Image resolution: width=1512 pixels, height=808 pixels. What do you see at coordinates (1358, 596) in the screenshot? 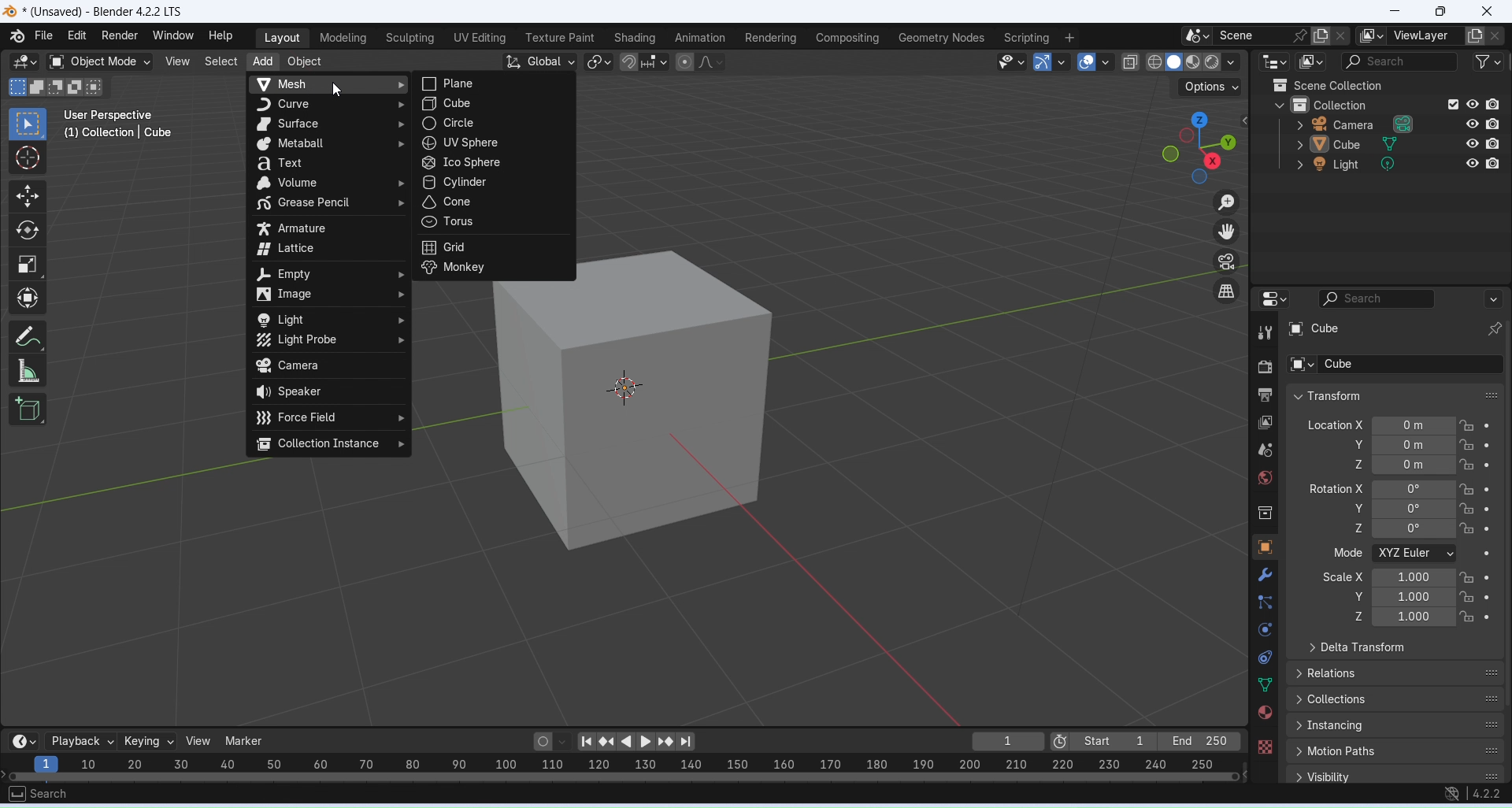
I see `Scale  Y` at bounding box center [1358, 596].